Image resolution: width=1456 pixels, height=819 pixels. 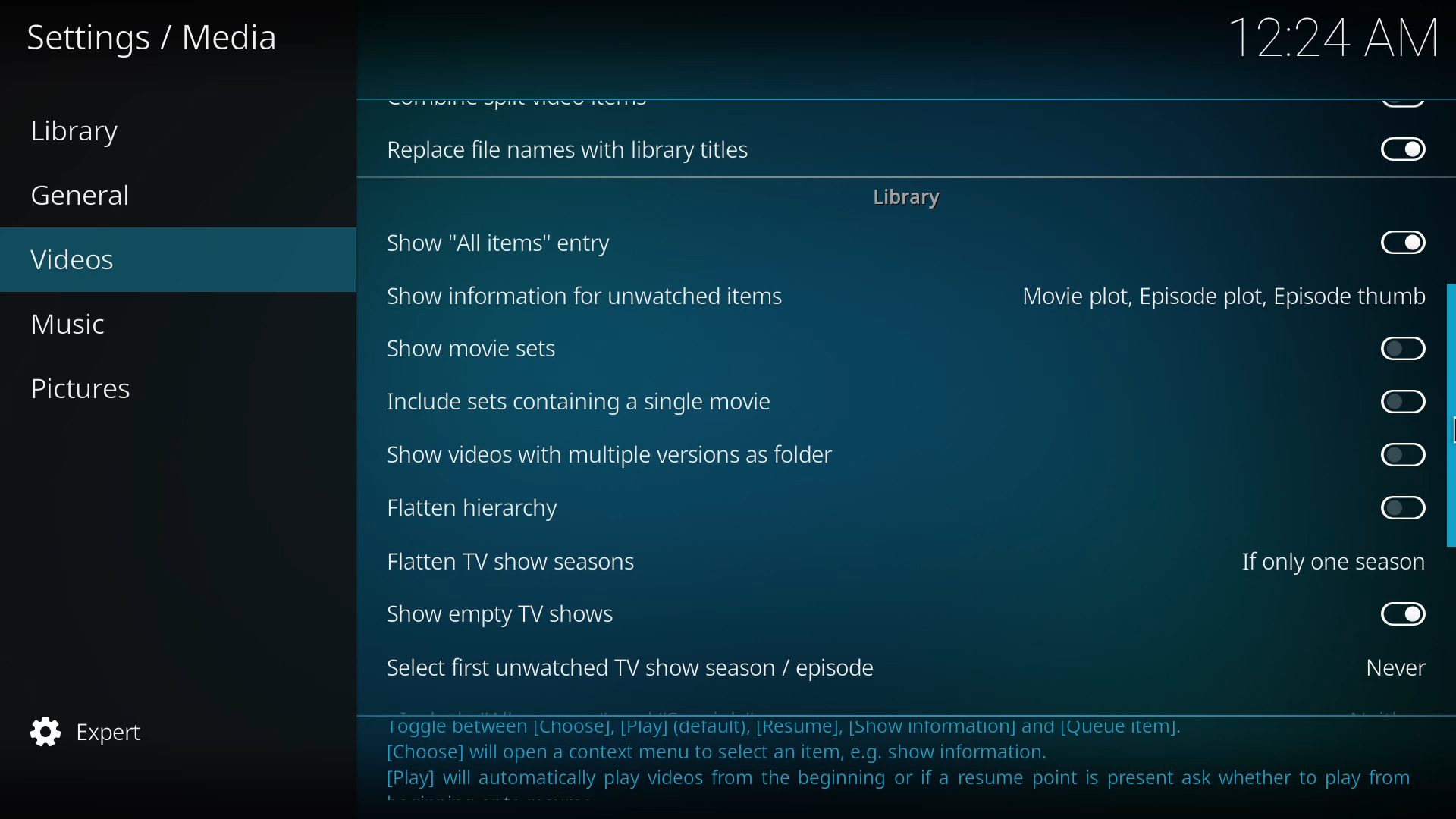 I want to click on movie plot, so click(x=1217, y=295).